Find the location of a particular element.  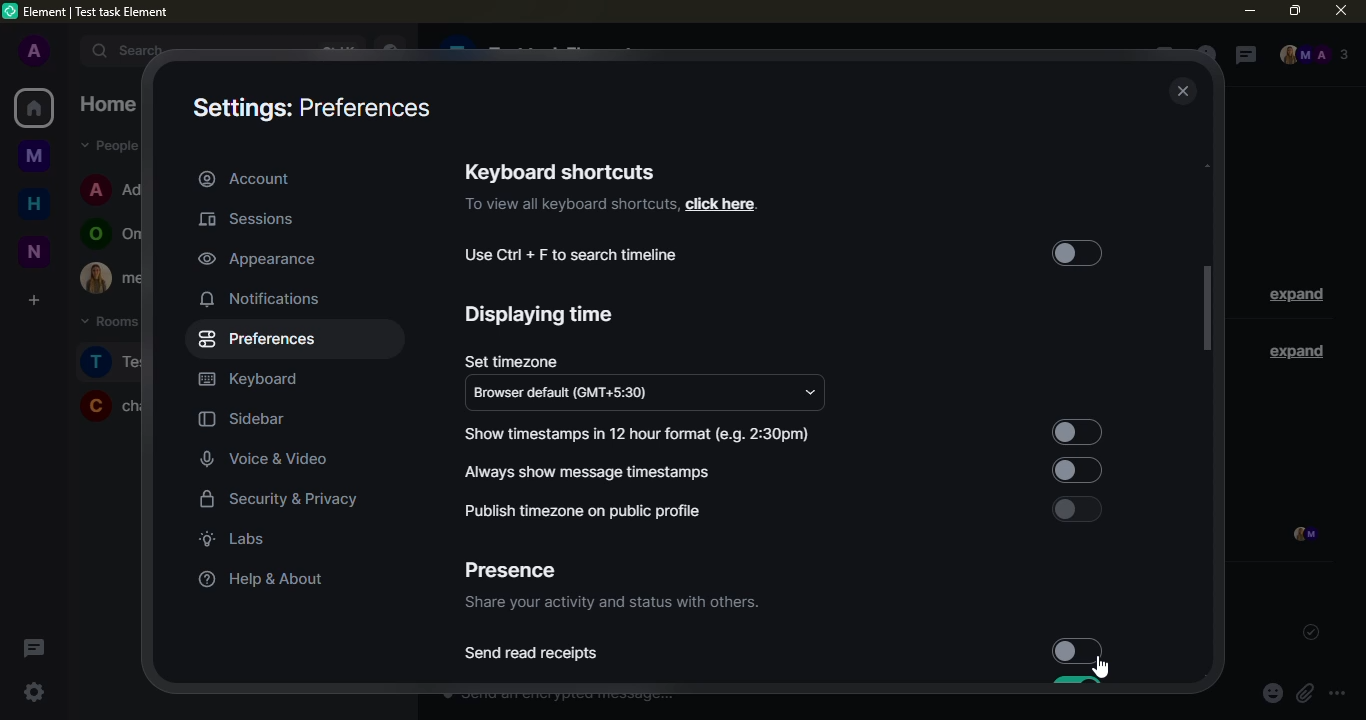

myspace is located at coordinates (35, 154).